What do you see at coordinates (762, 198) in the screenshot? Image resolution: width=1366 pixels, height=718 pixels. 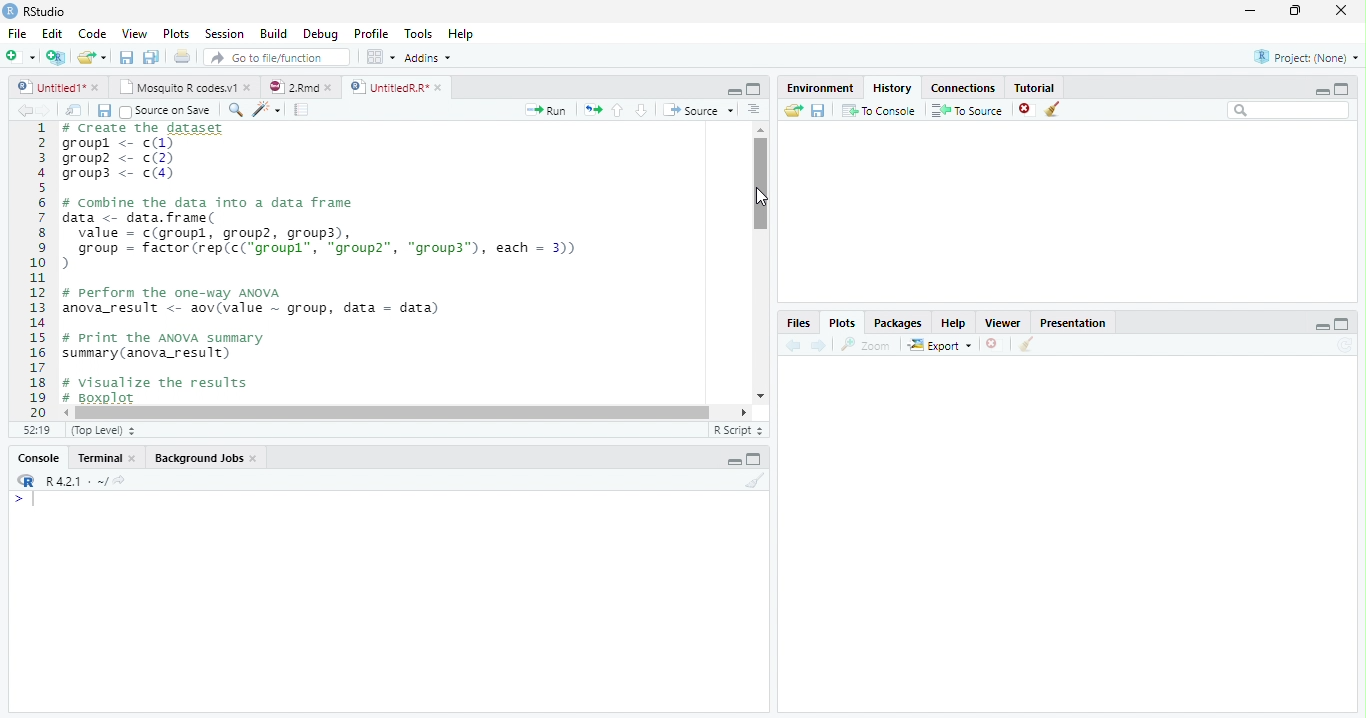 I see `Cursor` at bounding box center [762, 198].